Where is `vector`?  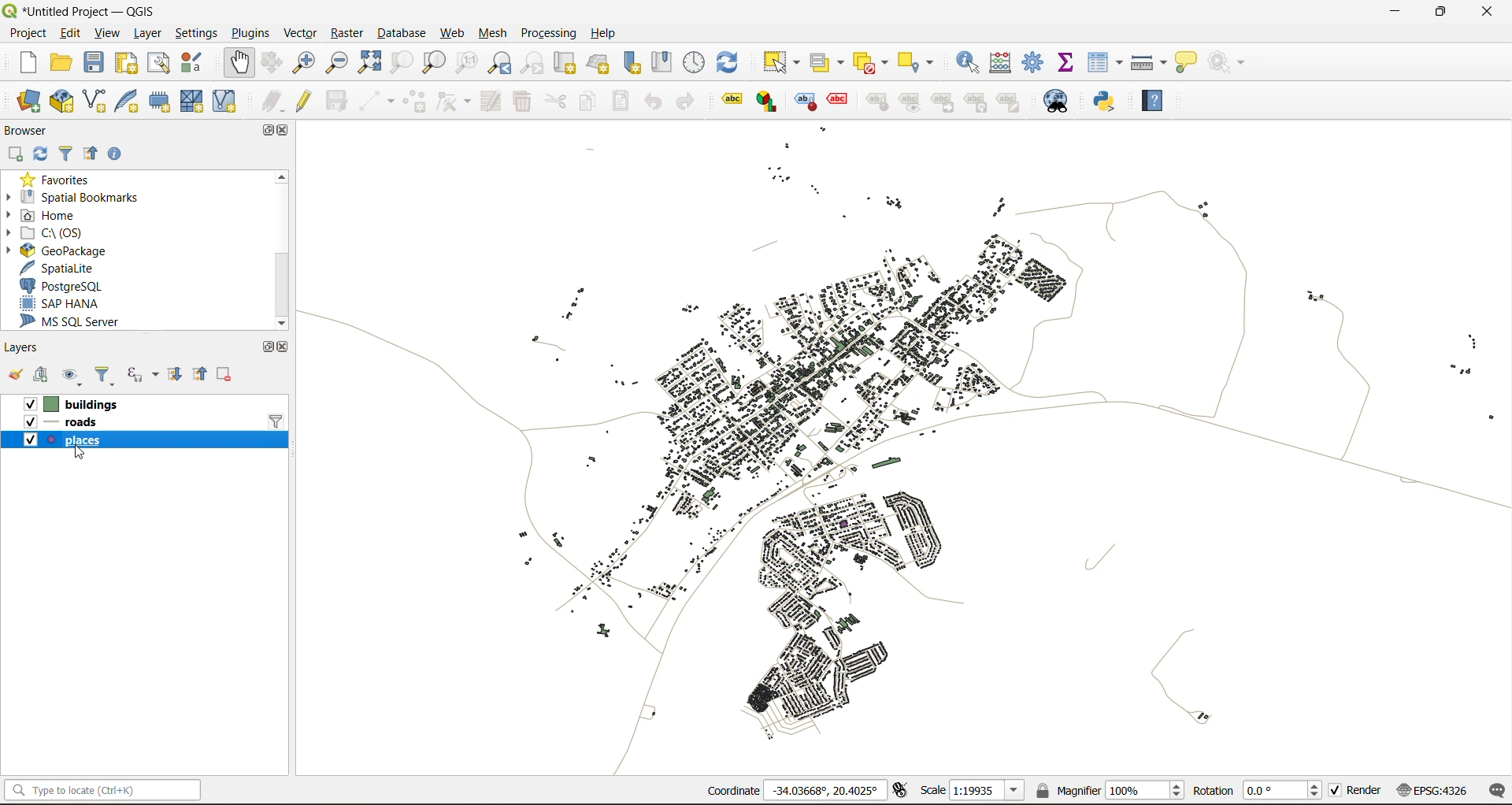
vector is located at coordinates (303, 33).